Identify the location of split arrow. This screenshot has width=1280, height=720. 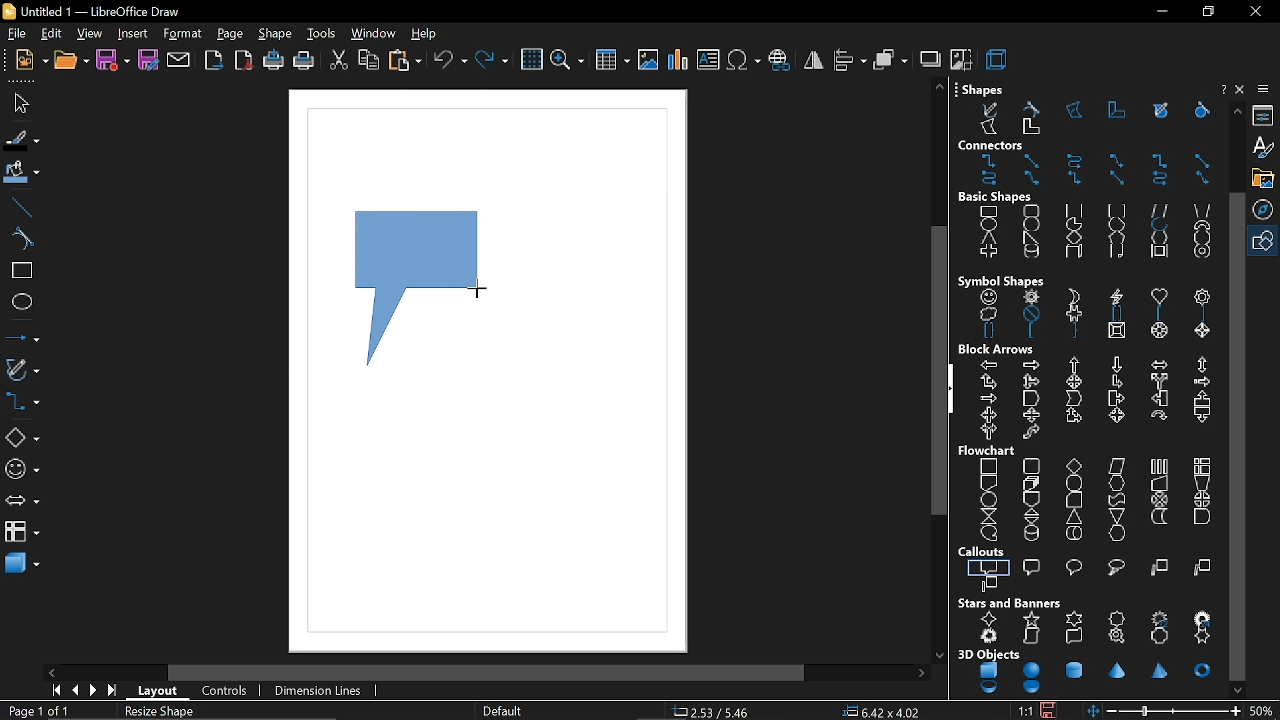
(1159, 382).